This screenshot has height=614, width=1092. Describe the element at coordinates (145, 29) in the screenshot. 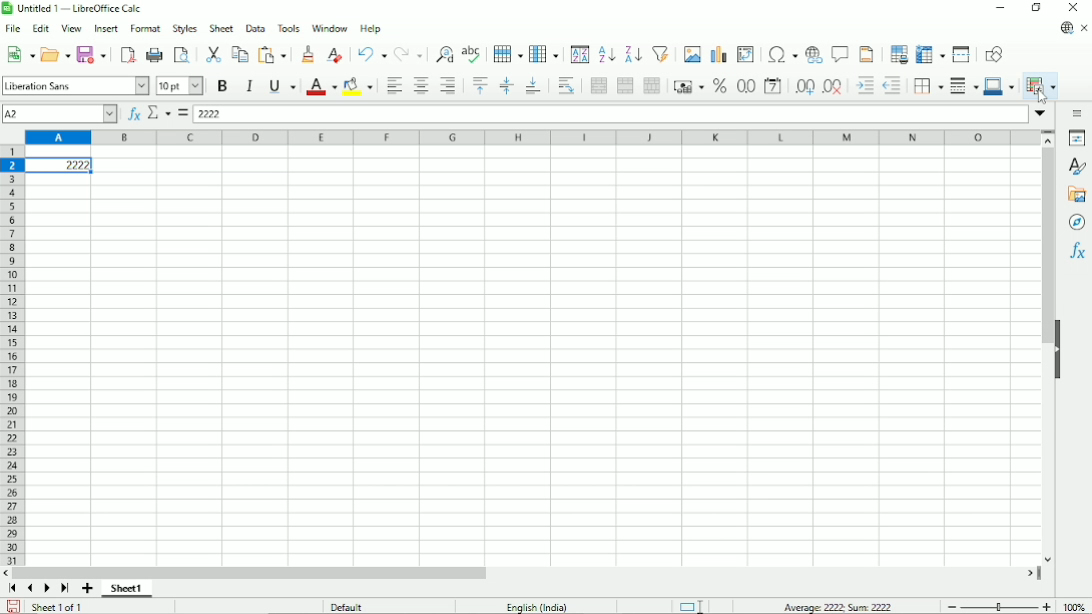

I see `Format` at that location.